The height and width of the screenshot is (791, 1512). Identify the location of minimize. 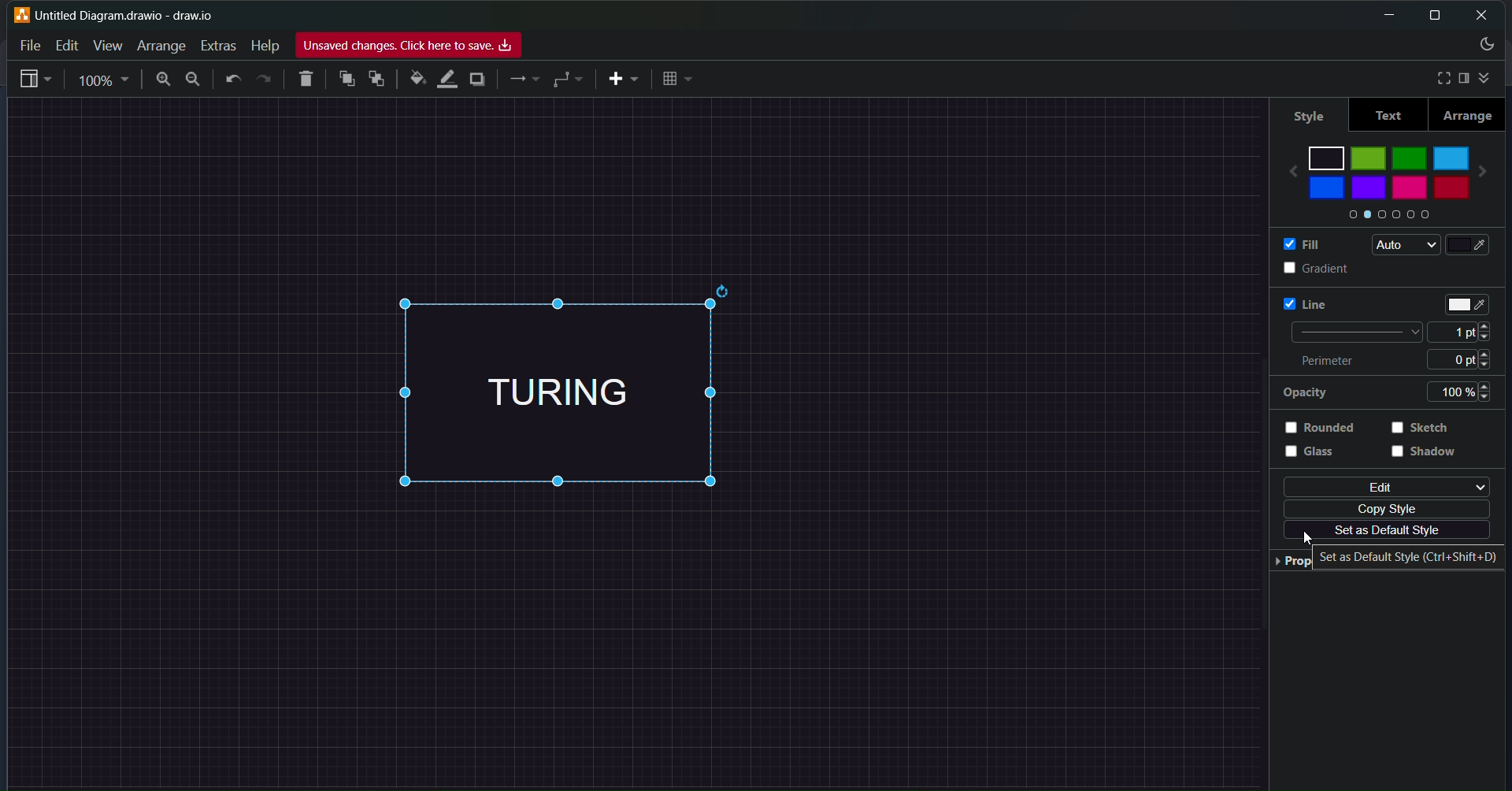
(1384, 15).